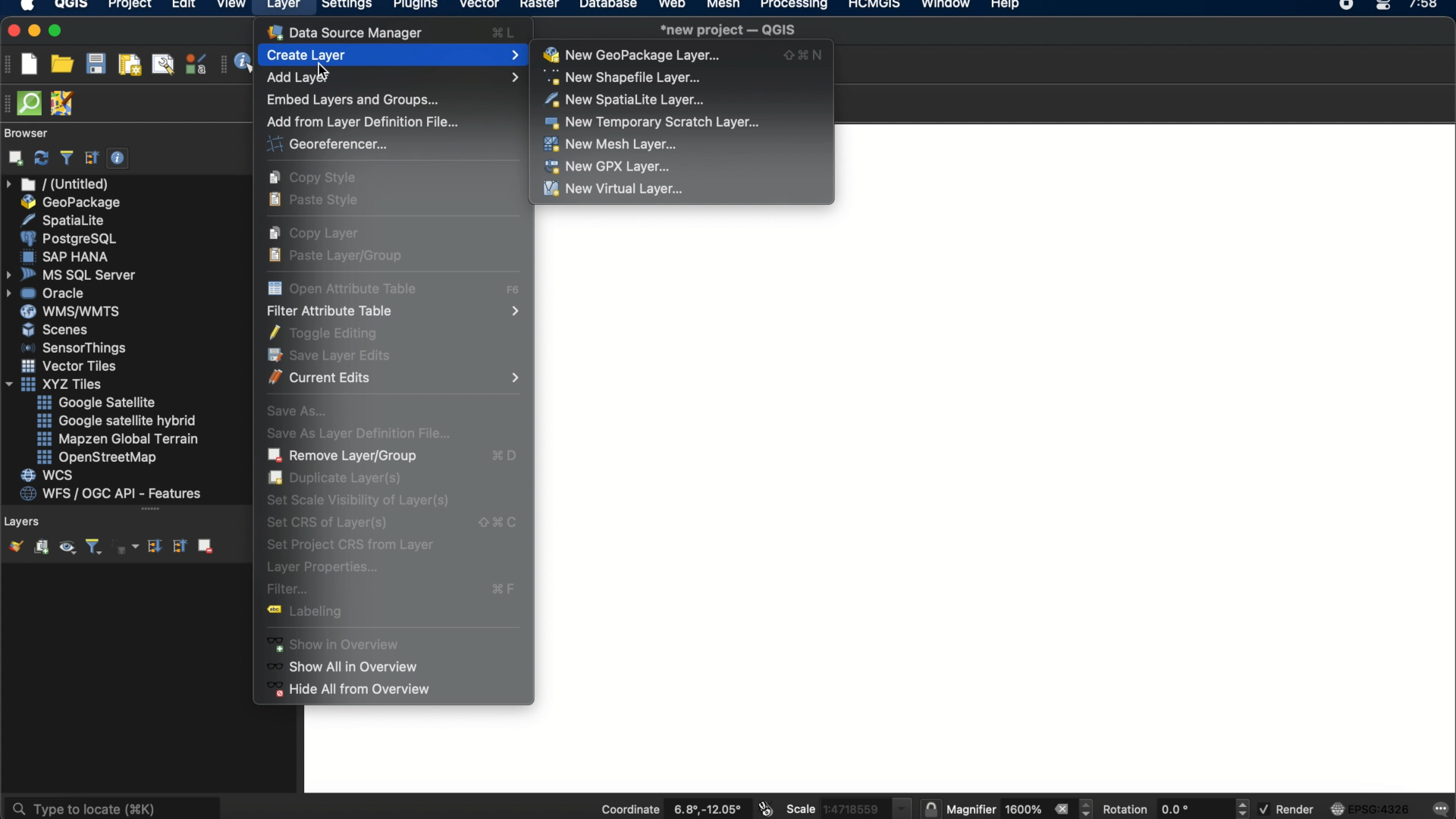  I want to click on web, so click(673, 6).